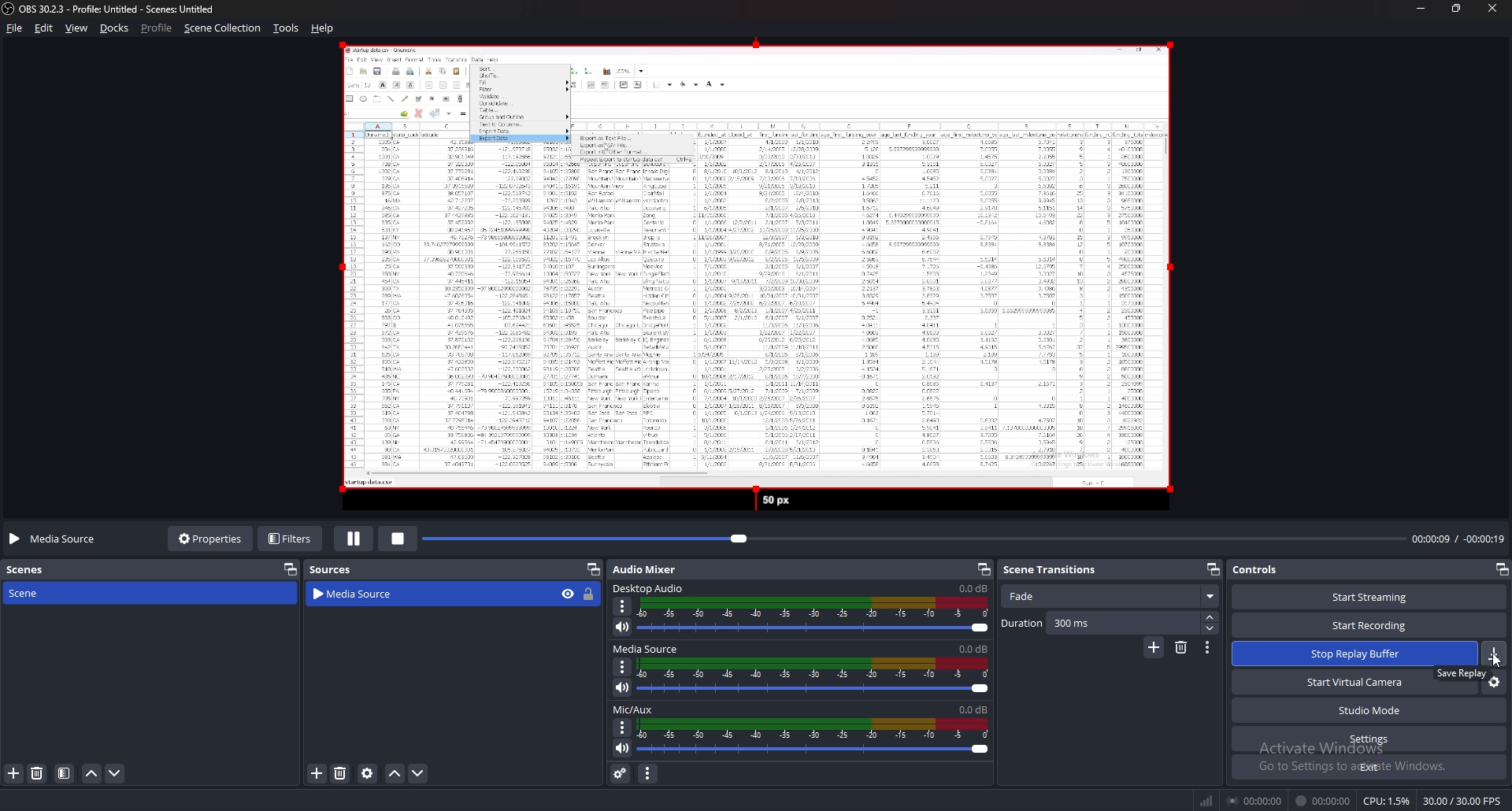 This screenshot has width=1512, height=811. What do you see at coordinates (34, 571) in the screenshot?
I see `scenes` at bounding box center [34, 571].